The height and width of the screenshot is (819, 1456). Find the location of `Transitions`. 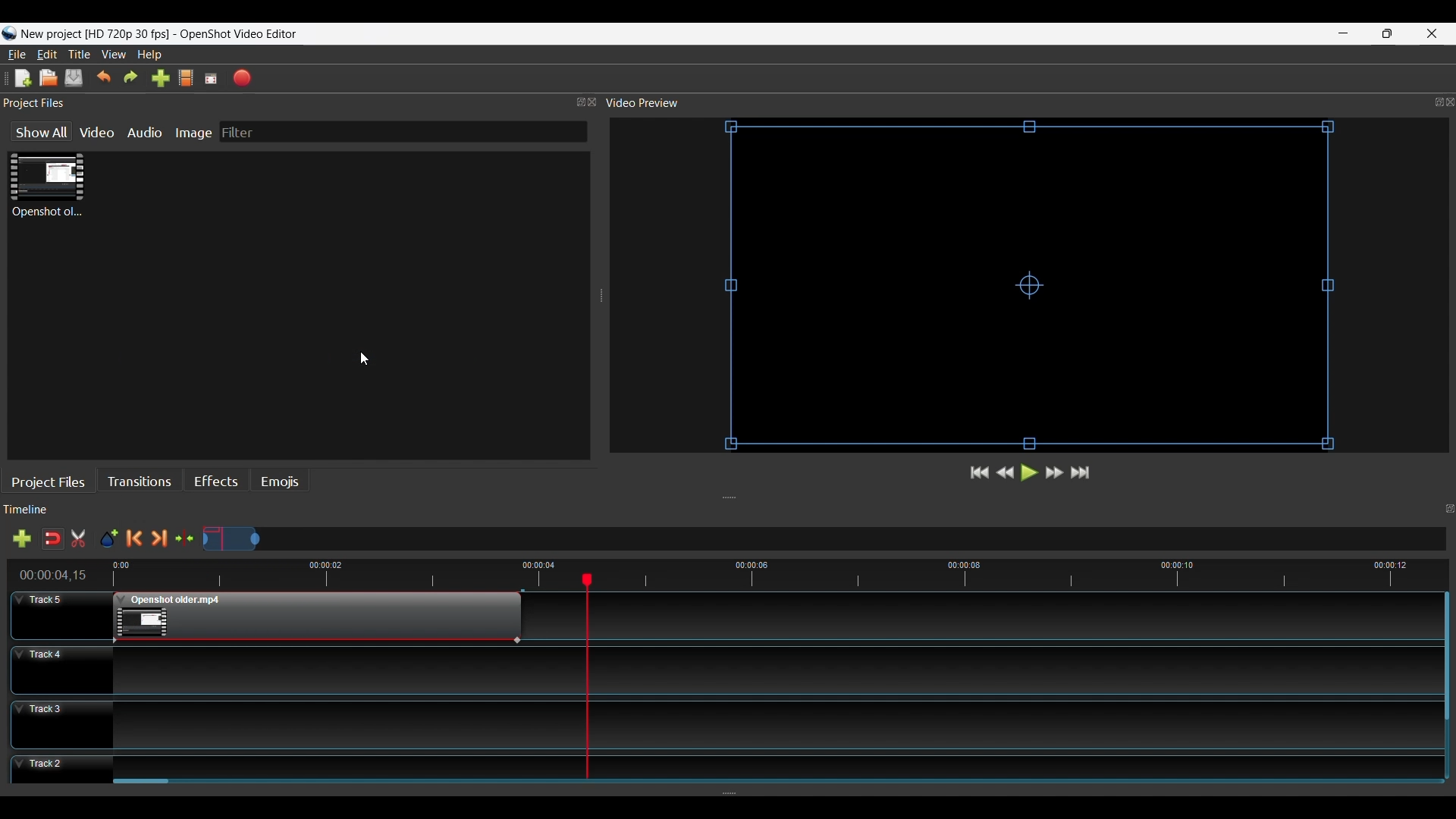

Transitions is located at coordinates (143, 481).